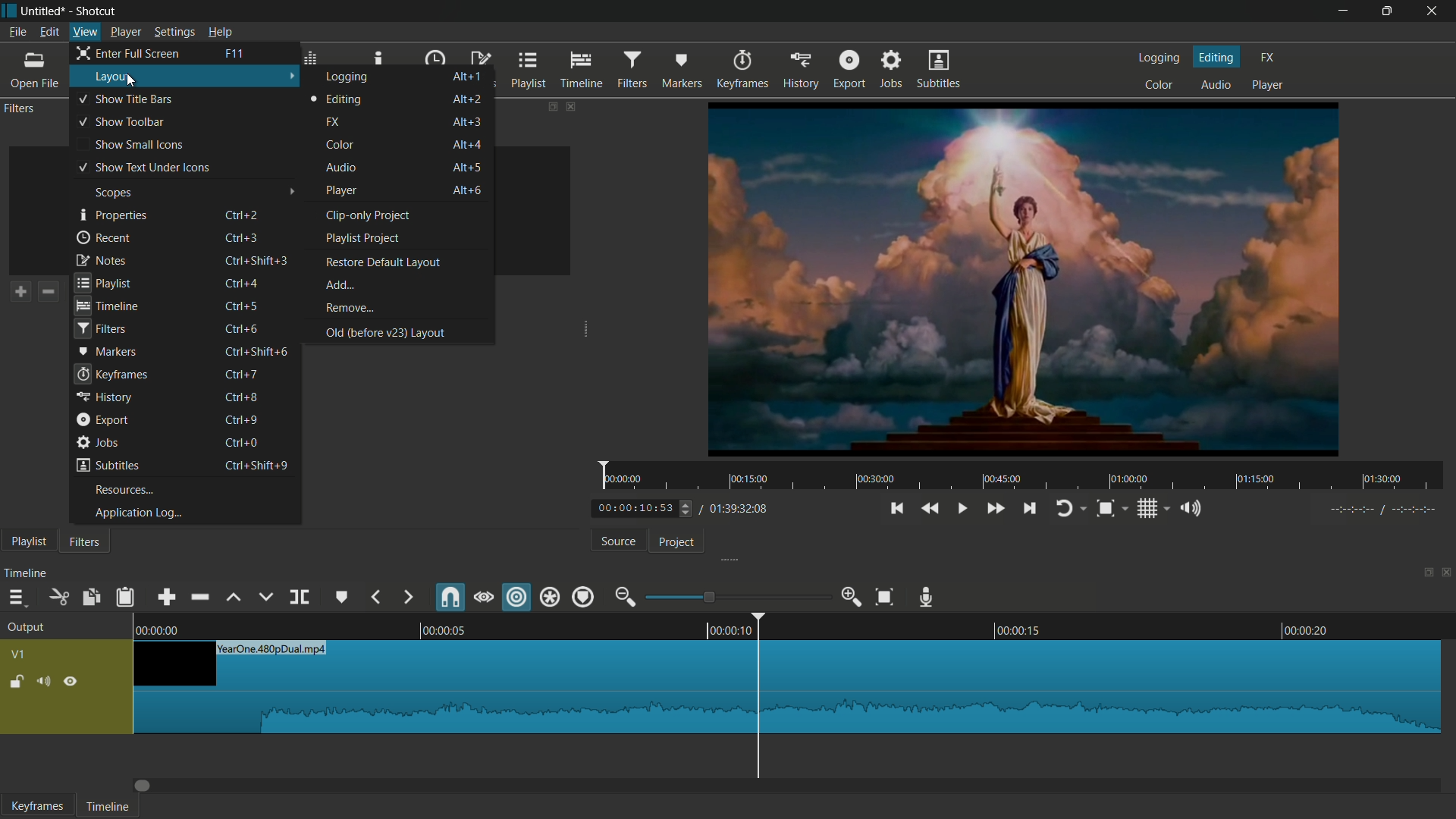 This screenshot has width=1456, height=819. I want to click on audio, so click(1216, 84).